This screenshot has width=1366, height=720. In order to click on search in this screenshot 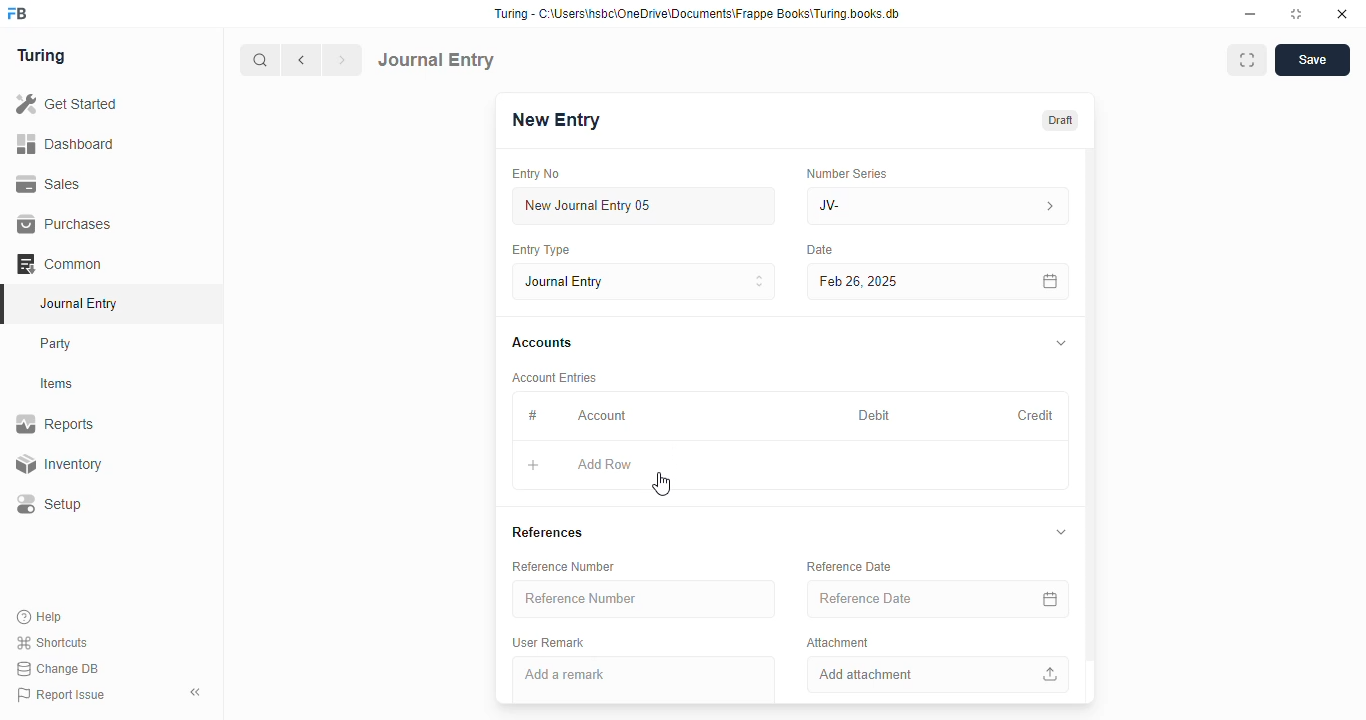, I will do `click(261, 60)`.